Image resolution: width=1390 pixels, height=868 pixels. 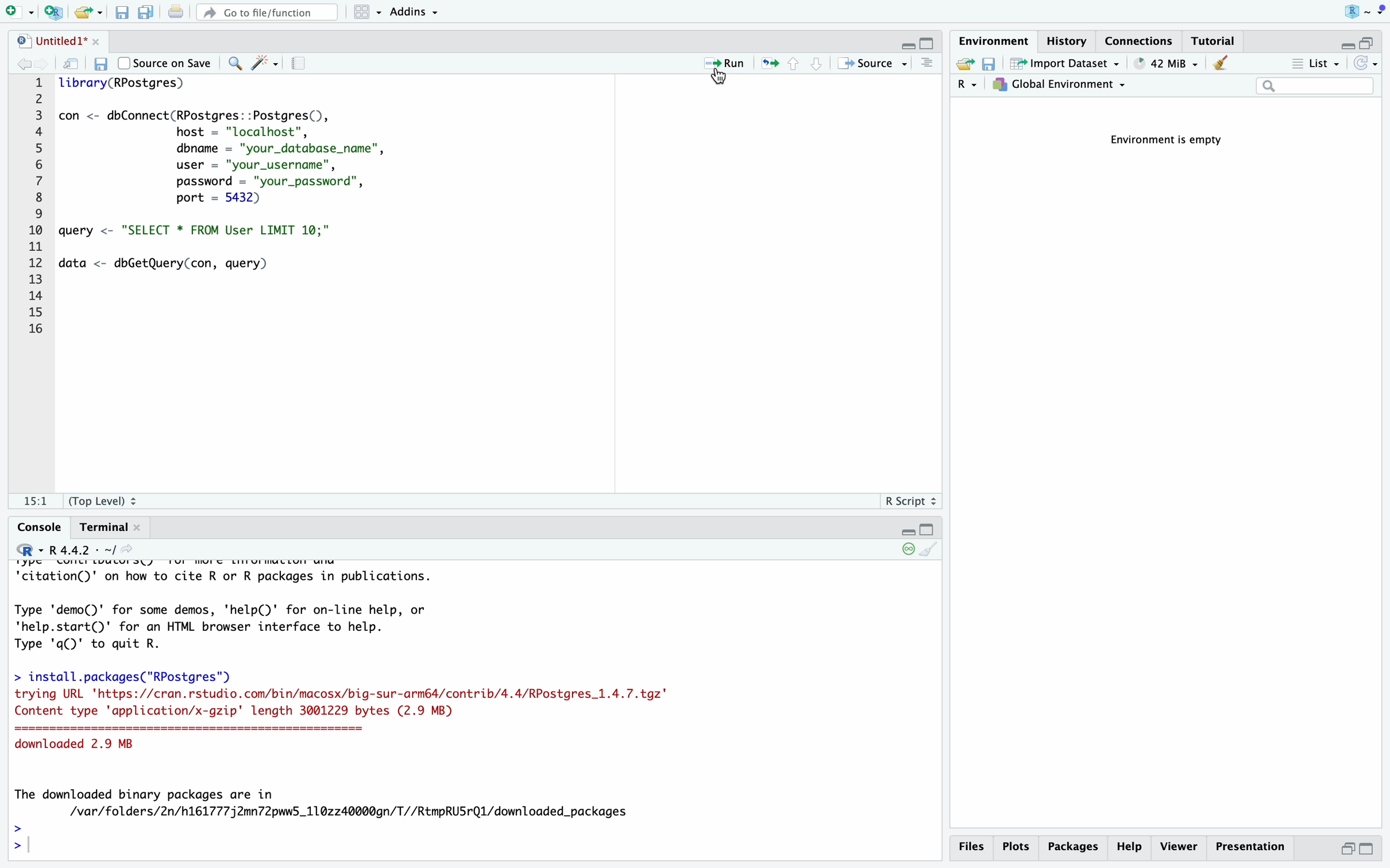 What do you see at coordinates (167, 63) in the screenshot?
I see `source on save` at bounding box center [167, 63].